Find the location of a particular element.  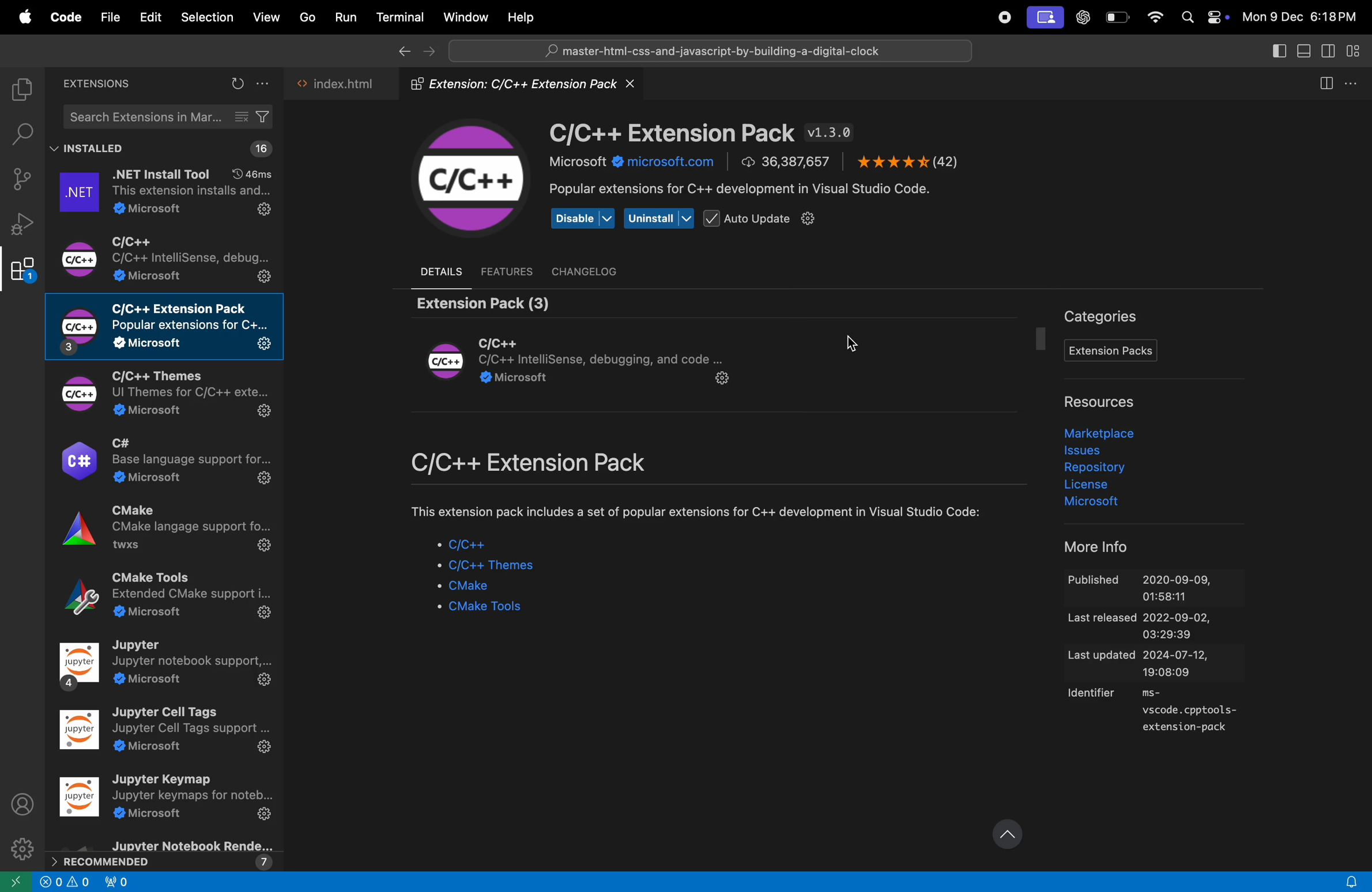

c/C++ extensions pack is located at coordinates (166, 327).